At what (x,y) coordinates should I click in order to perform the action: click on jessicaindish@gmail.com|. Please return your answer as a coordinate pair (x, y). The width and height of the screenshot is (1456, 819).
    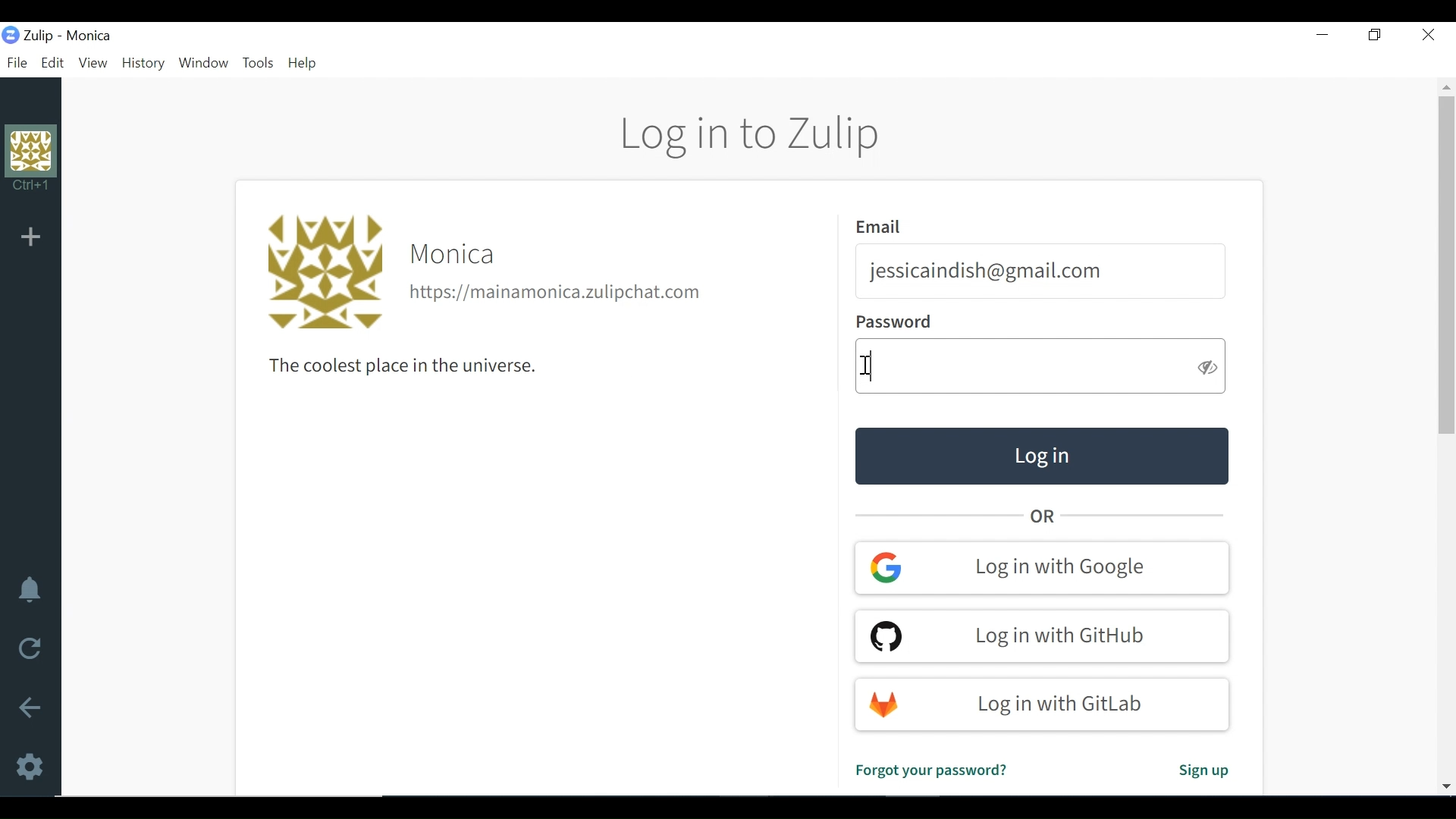
    Looking at the image, I should click on (987, 271).